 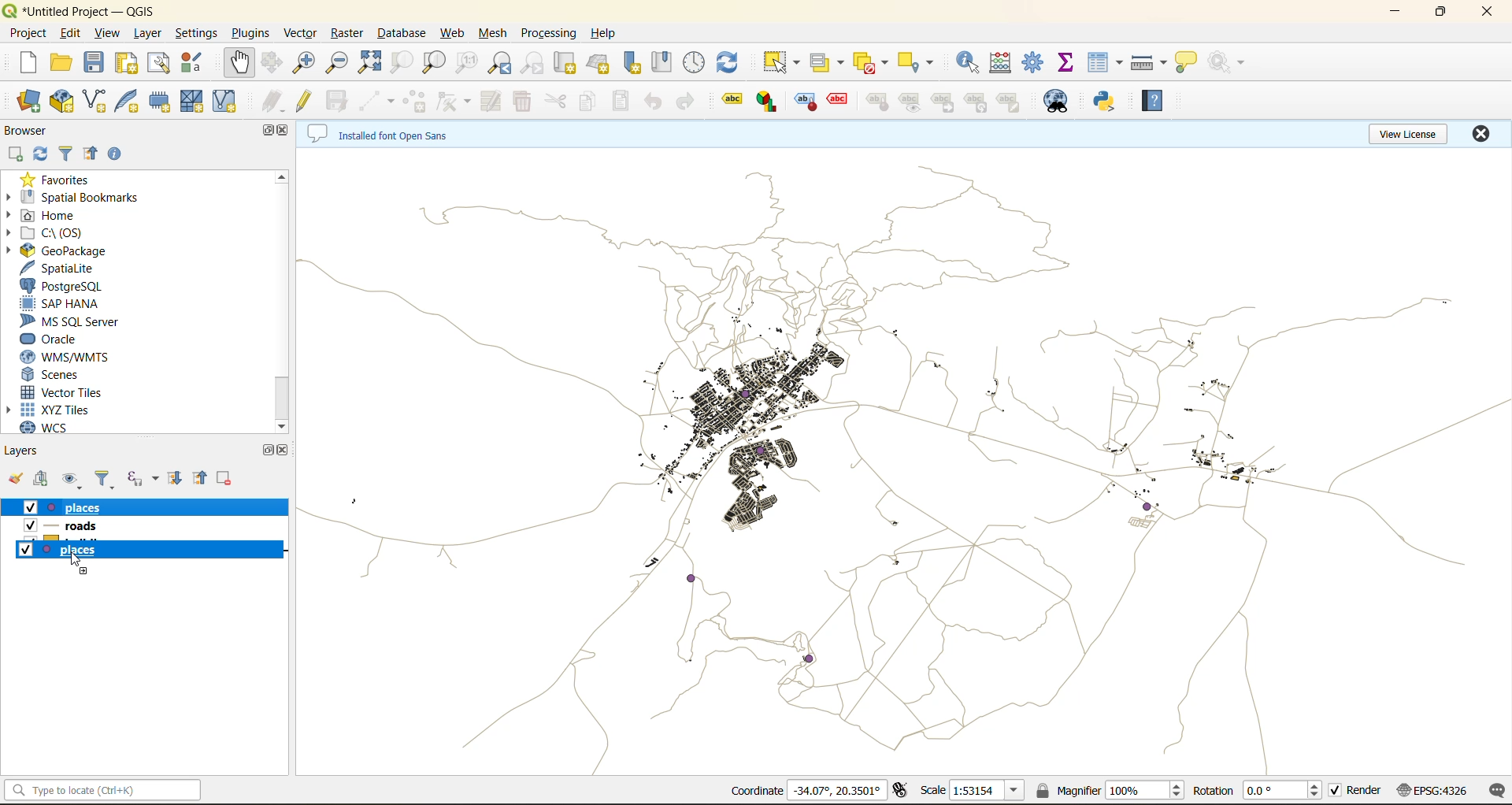 I want to click on help, so click(x=607, y=33).